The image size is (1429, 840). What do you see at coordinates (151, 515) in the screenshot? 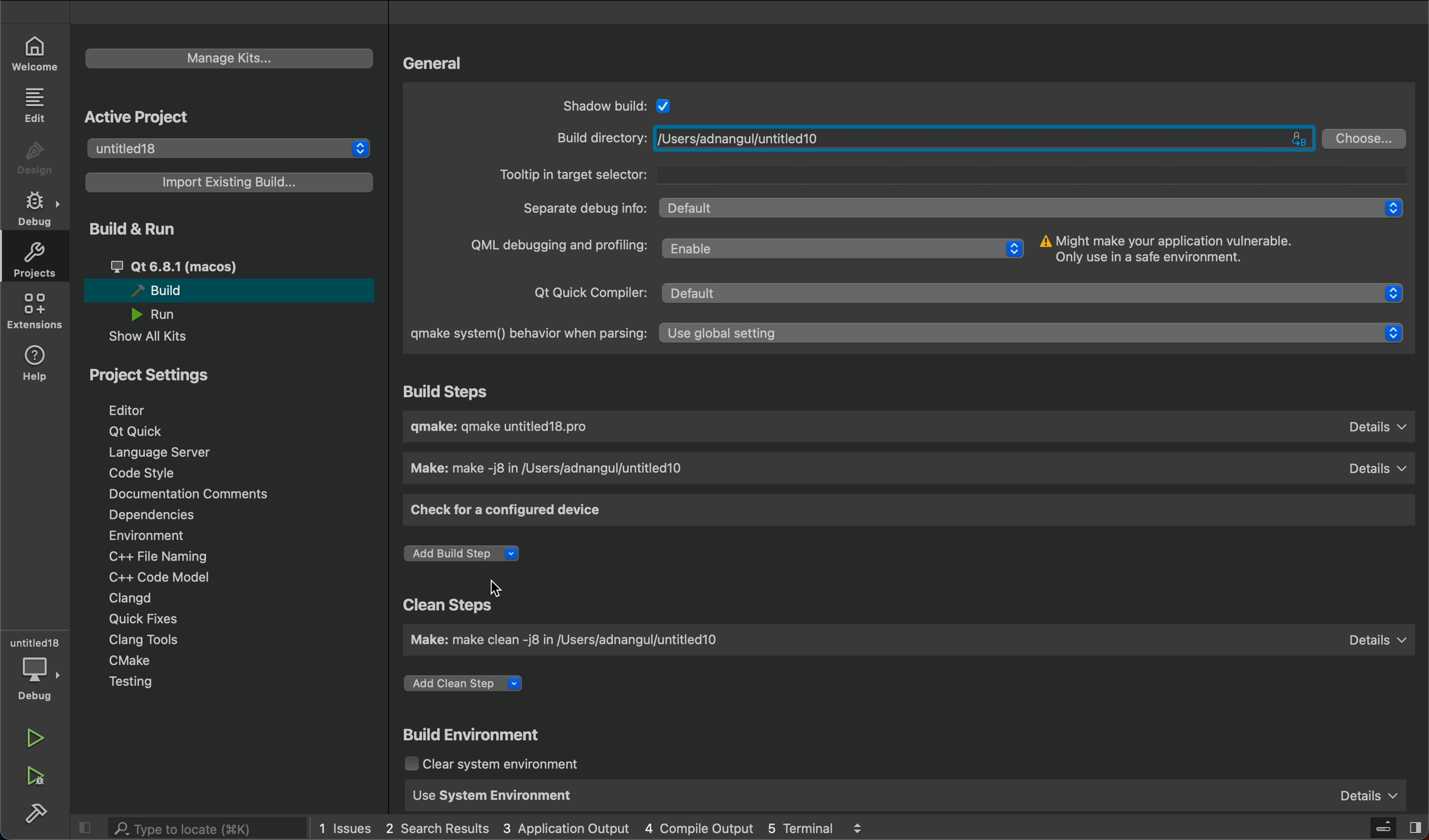
I see `Dependencies` at bounding box center [151, 515].